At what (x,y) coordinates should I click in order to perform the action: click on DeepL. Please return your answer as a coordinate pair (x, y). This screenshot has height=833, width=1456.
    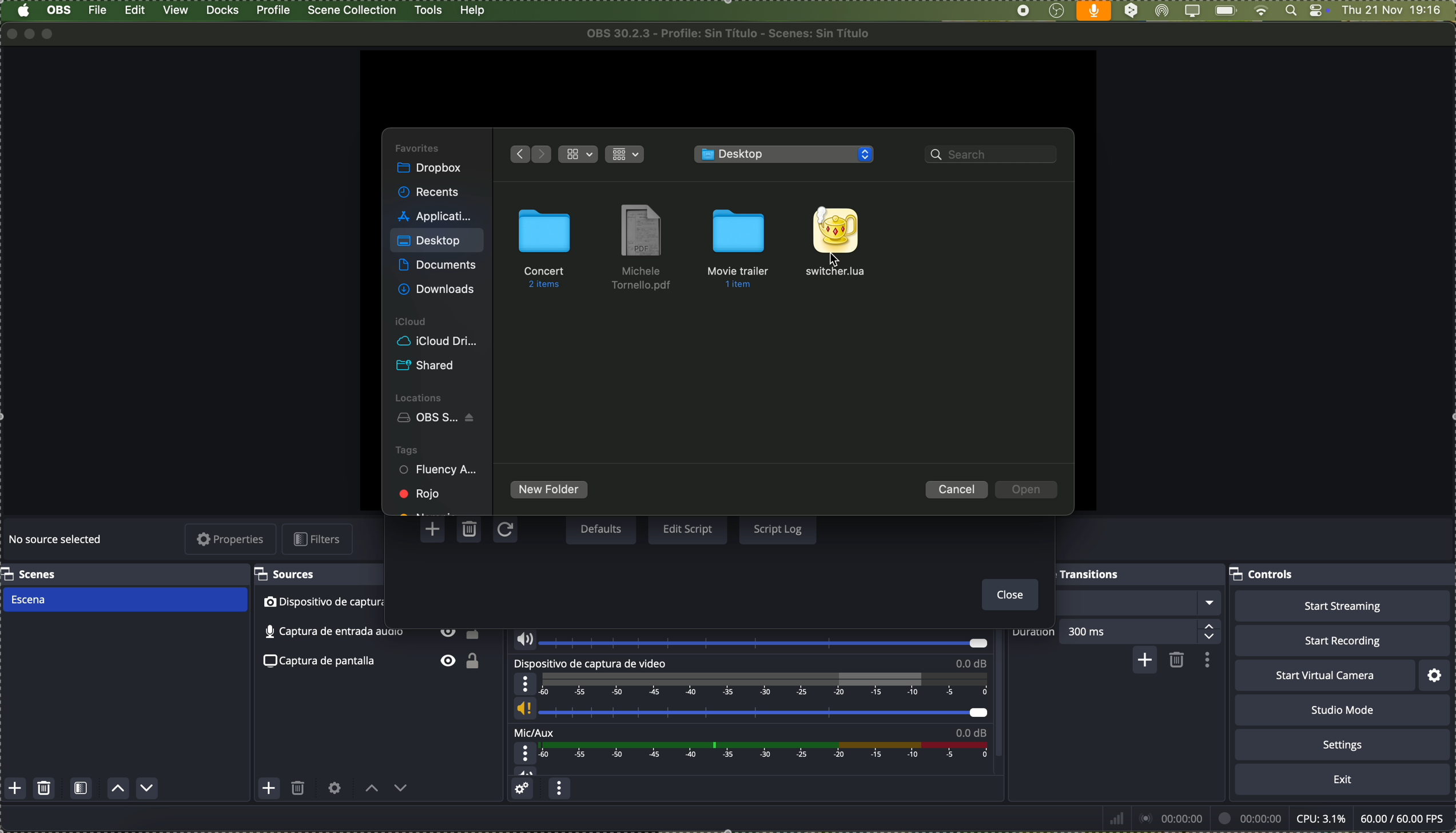
    Looking at the image, I should click on (1132, 11).